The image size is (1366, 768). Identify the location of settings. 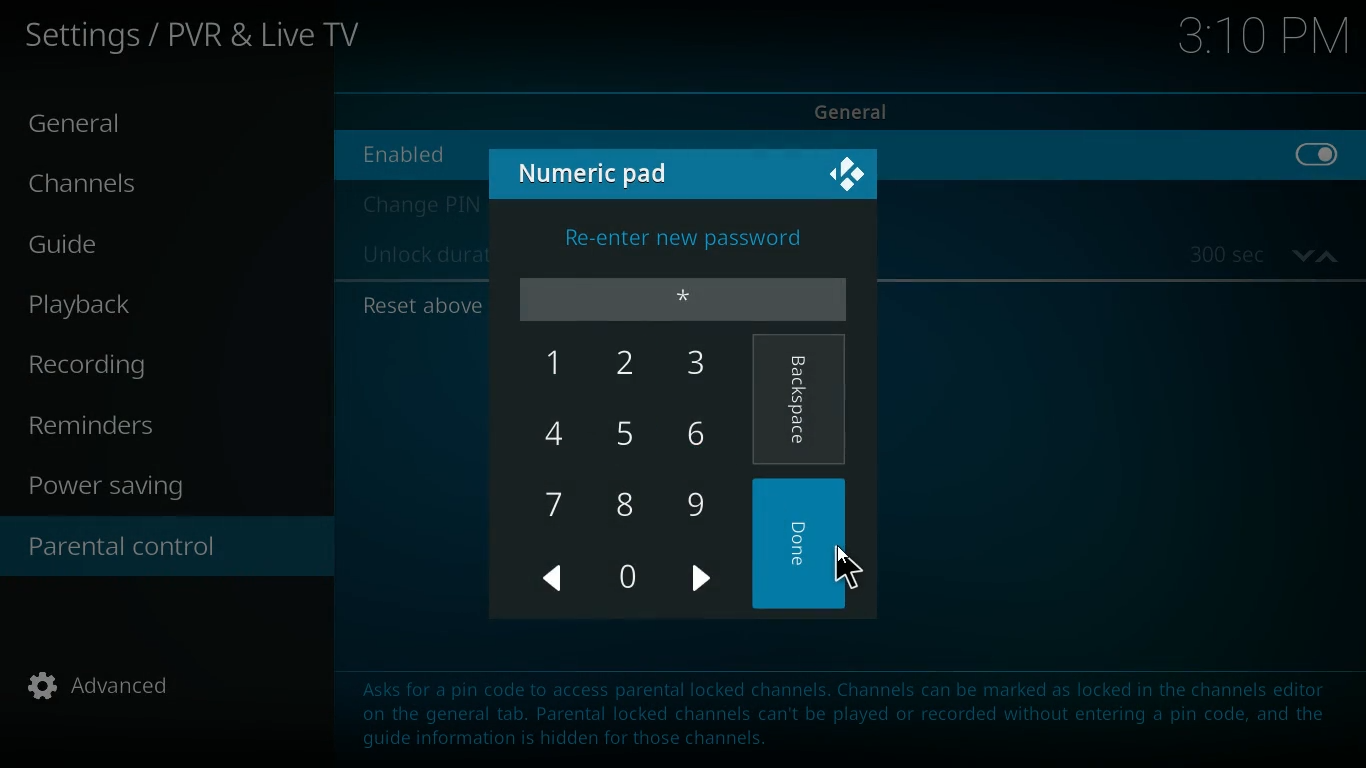
(198, 39).